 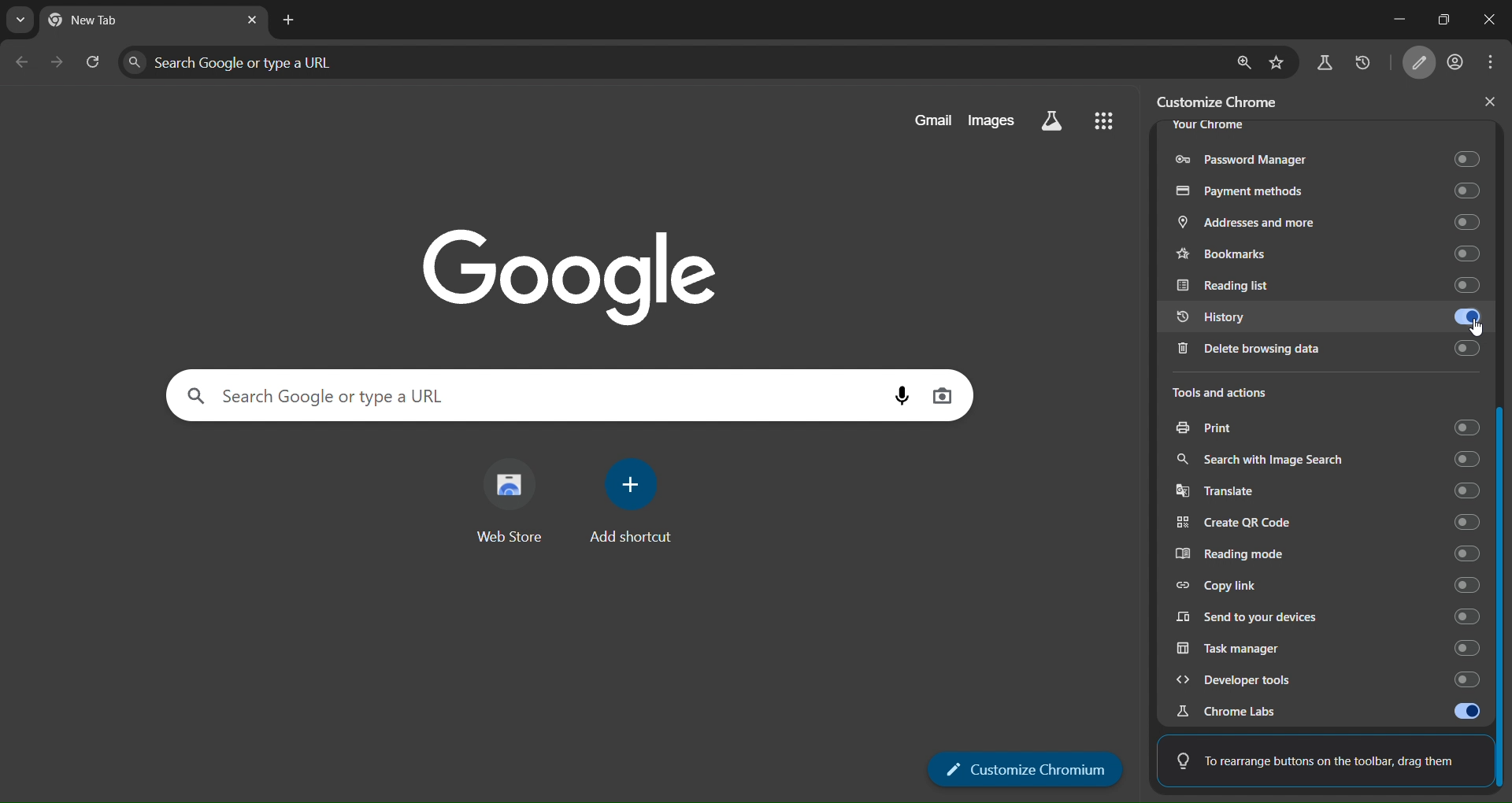 What do you see at coordinates (932, 120) in the screenshot?
I see `gmail` at bounding box center [932, 120].